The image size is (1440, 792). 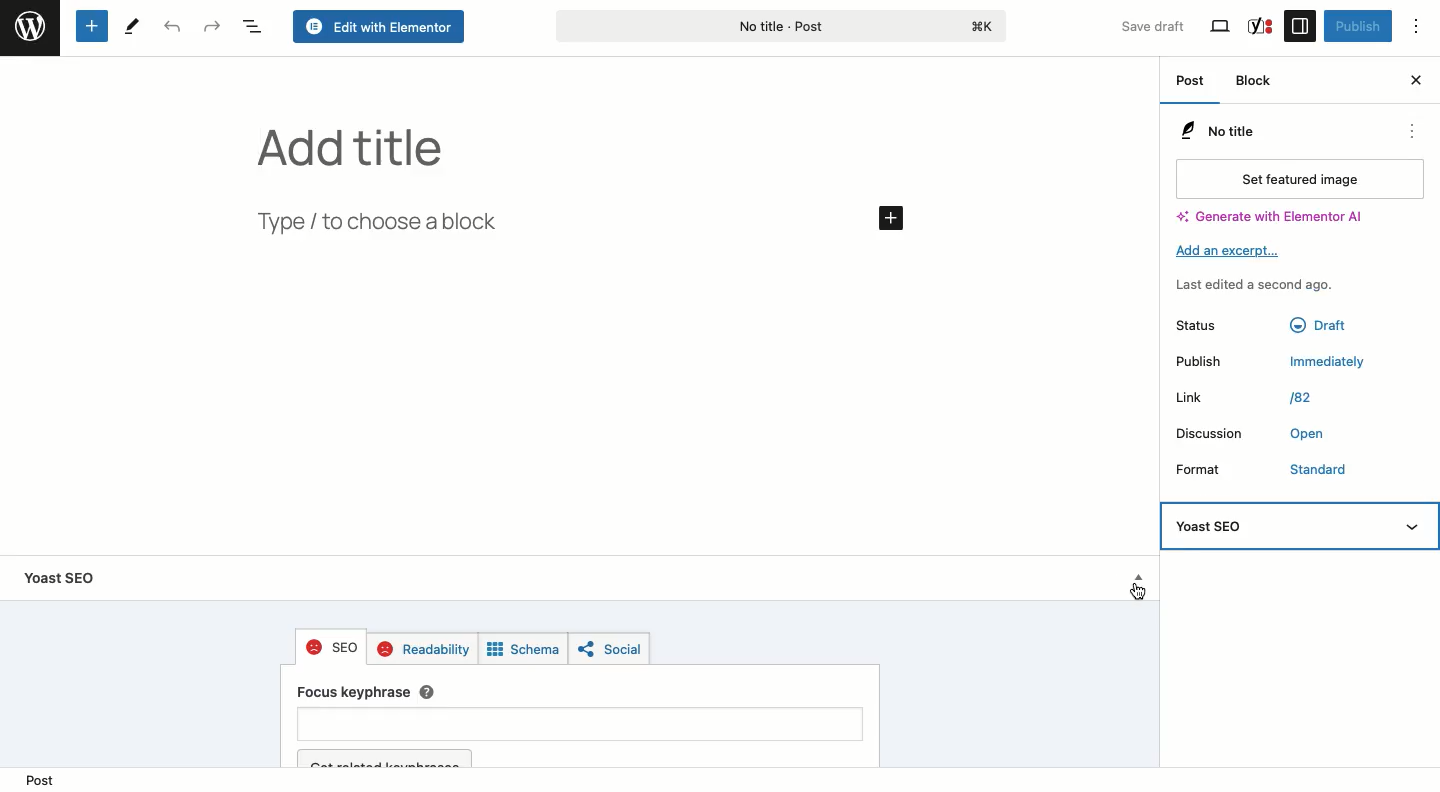 I want to click on Status, so click(x=1209, y=325).